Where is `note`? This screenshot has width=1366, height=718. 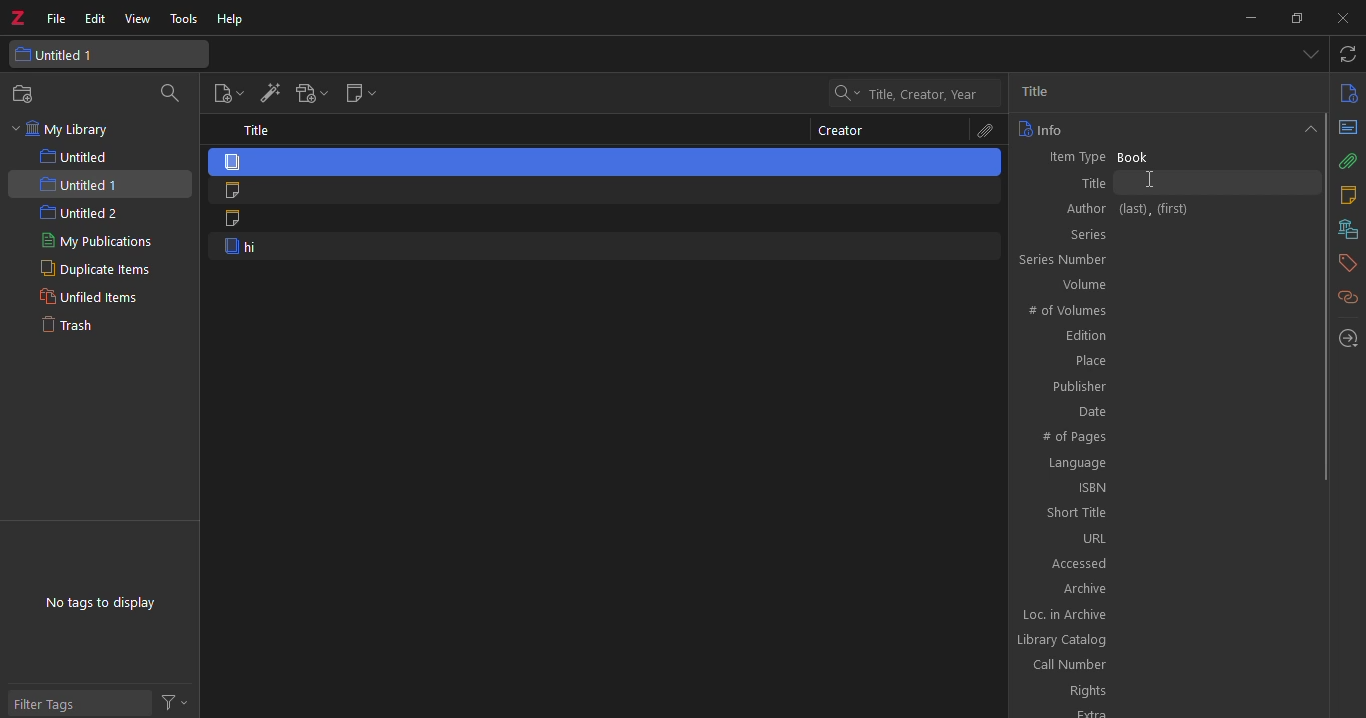
note is located at coordinates (604, 221).